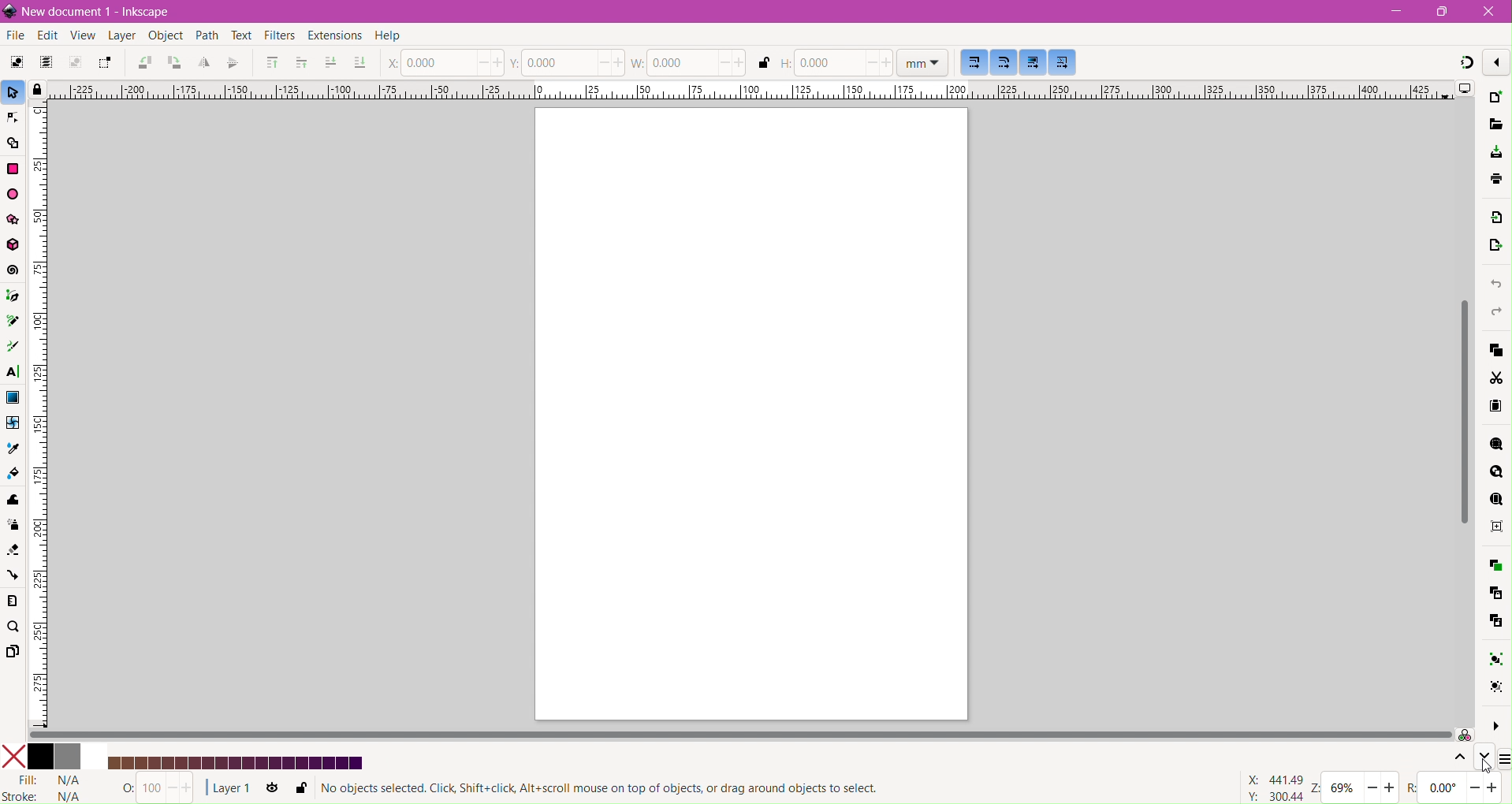 This screenshot has width=1512, height=804. Describe the element at coordinates (52, 795) in the screenshot. I see `stroke` at that location.